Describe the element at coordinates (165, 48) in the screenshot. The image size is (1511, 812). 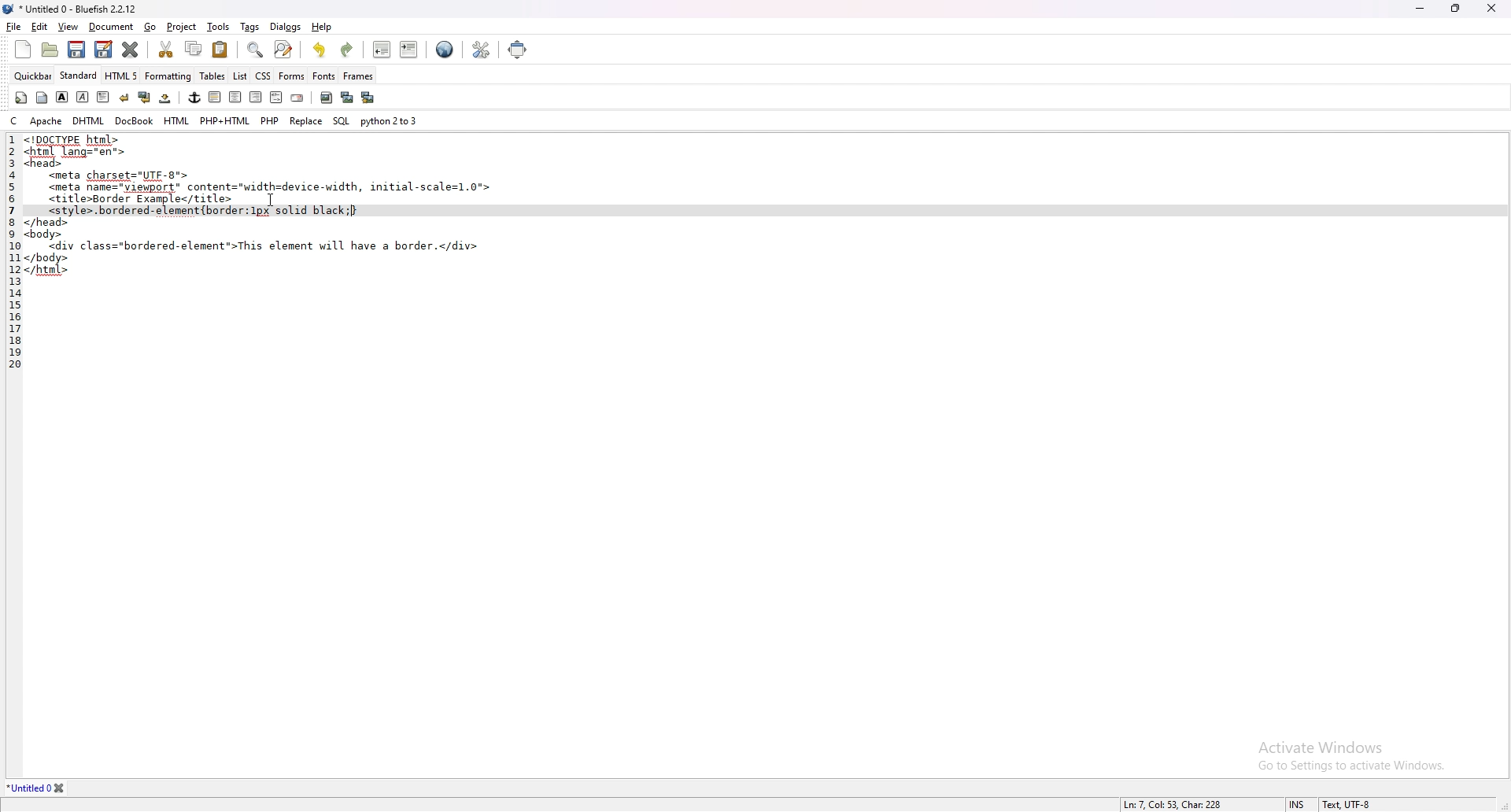
I see `cut` at that location.